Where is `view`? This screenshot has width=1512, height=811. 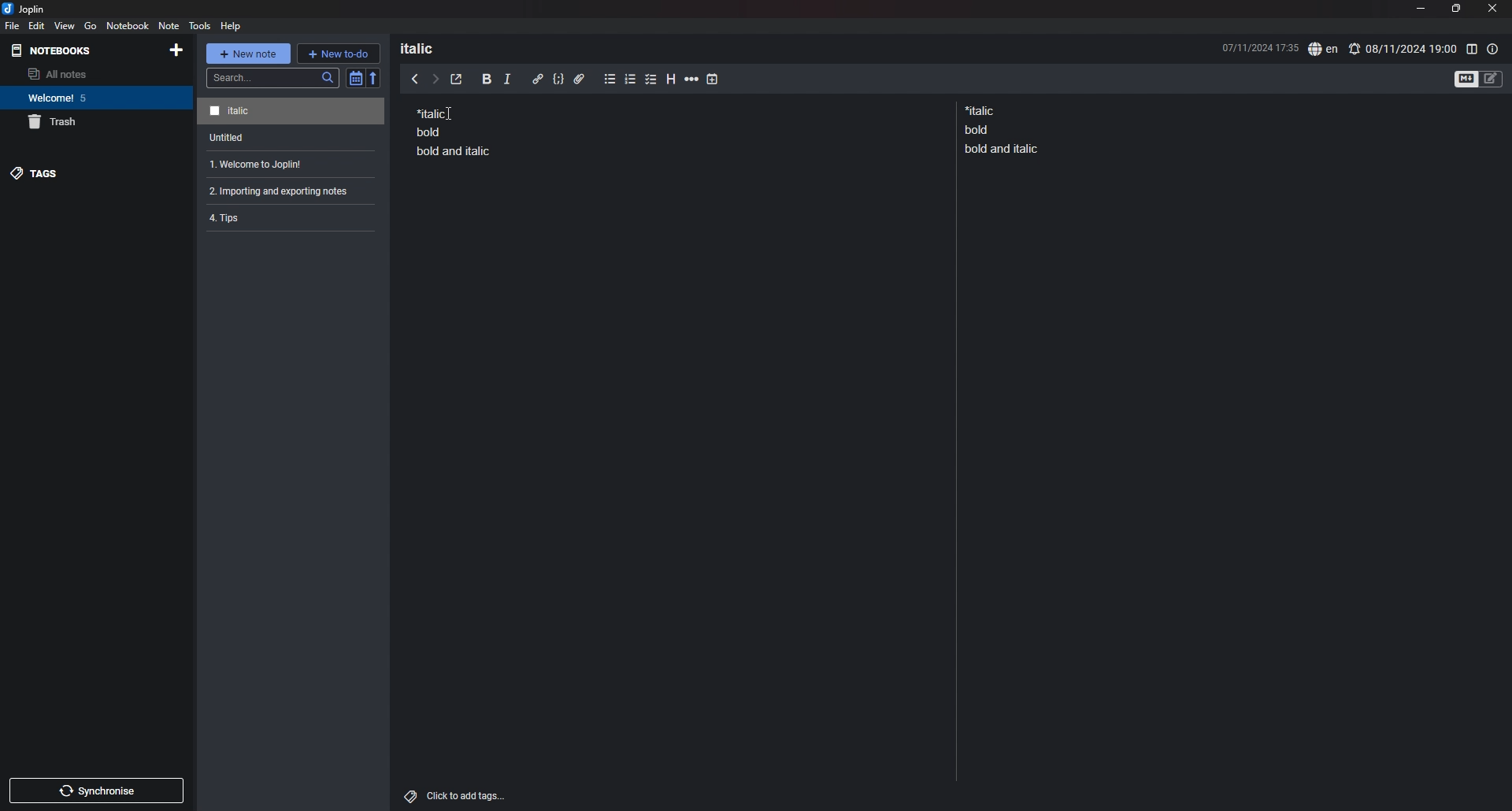 view is located at coordinates (65, 25).